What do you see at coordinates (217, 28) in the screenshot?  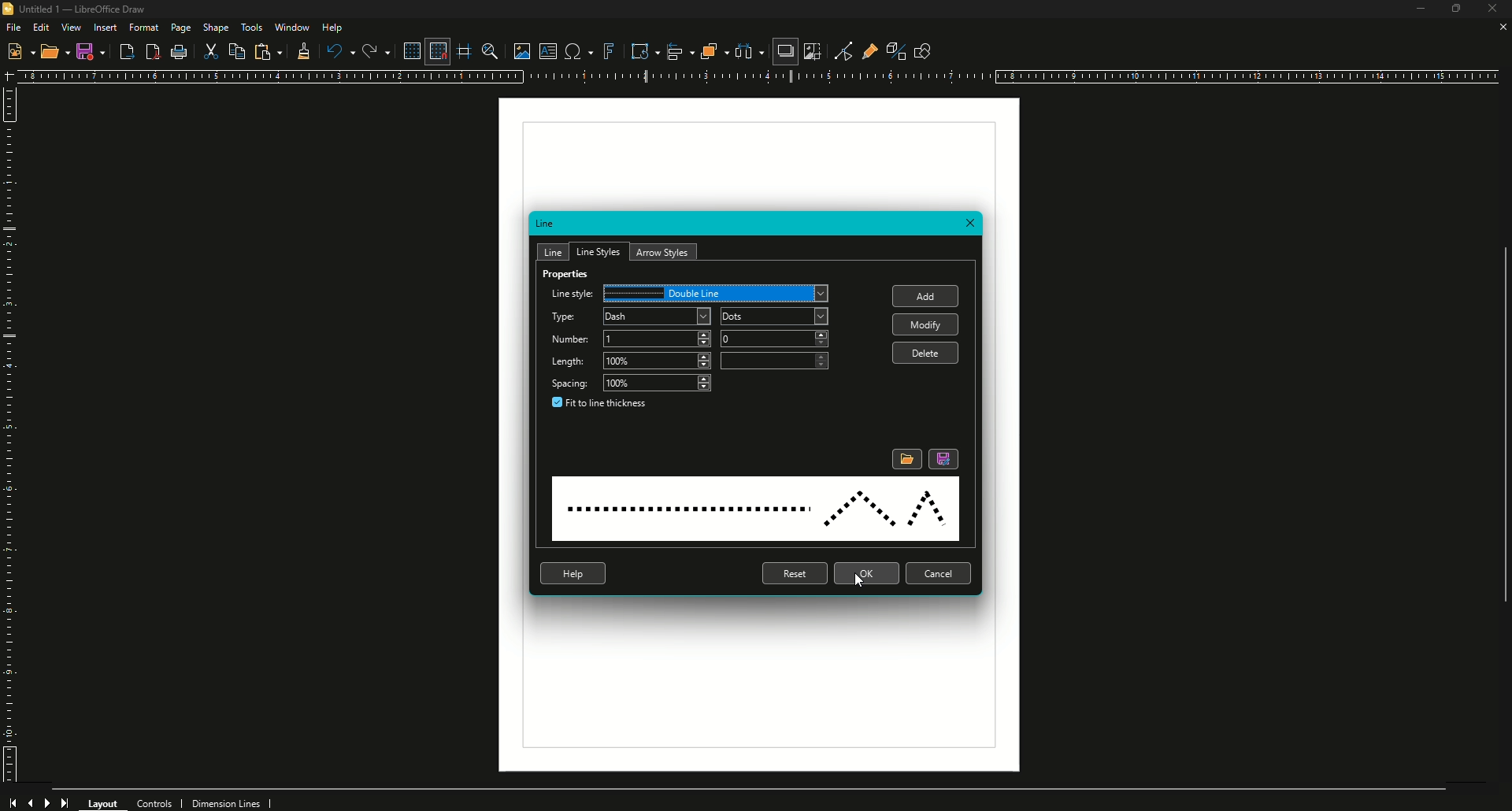 I see `Shape` at bounding box center [217, 28].